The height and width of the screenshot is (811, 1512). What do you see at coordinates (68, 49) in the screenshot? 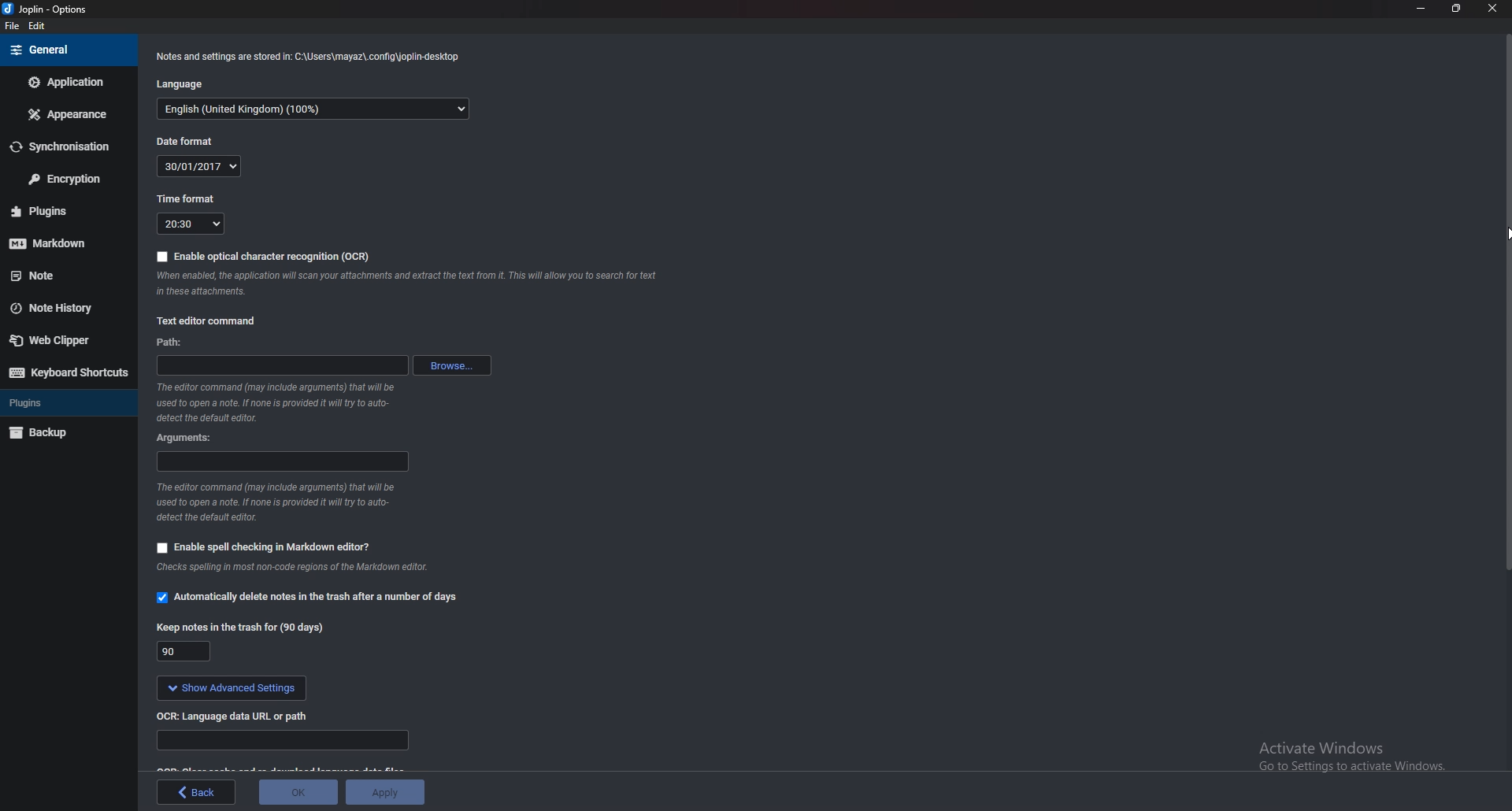
I see `general` at bounding box center [68, 49].